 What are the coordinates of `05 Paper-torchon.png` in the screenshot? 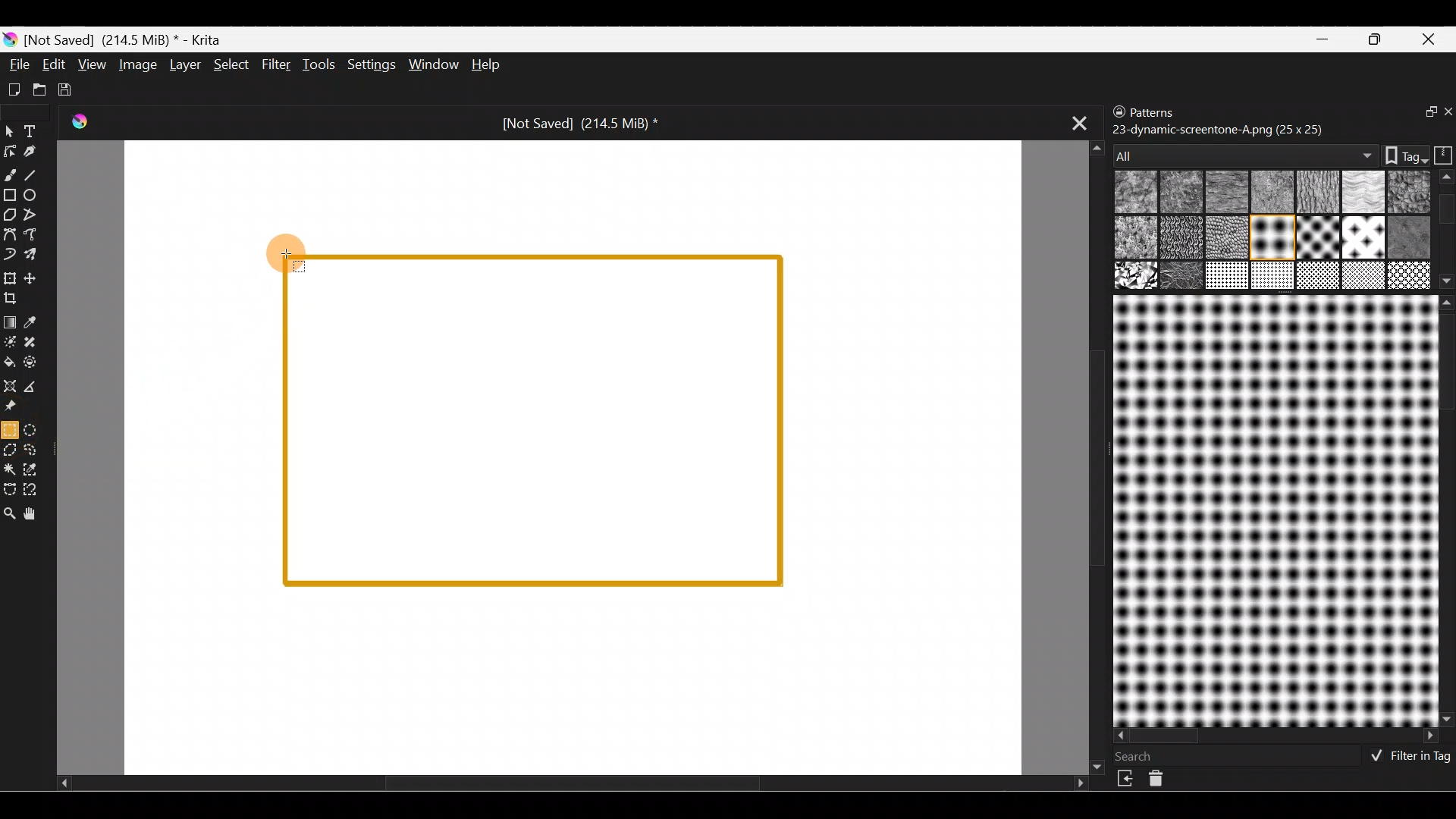 It's located at (1364, 193).